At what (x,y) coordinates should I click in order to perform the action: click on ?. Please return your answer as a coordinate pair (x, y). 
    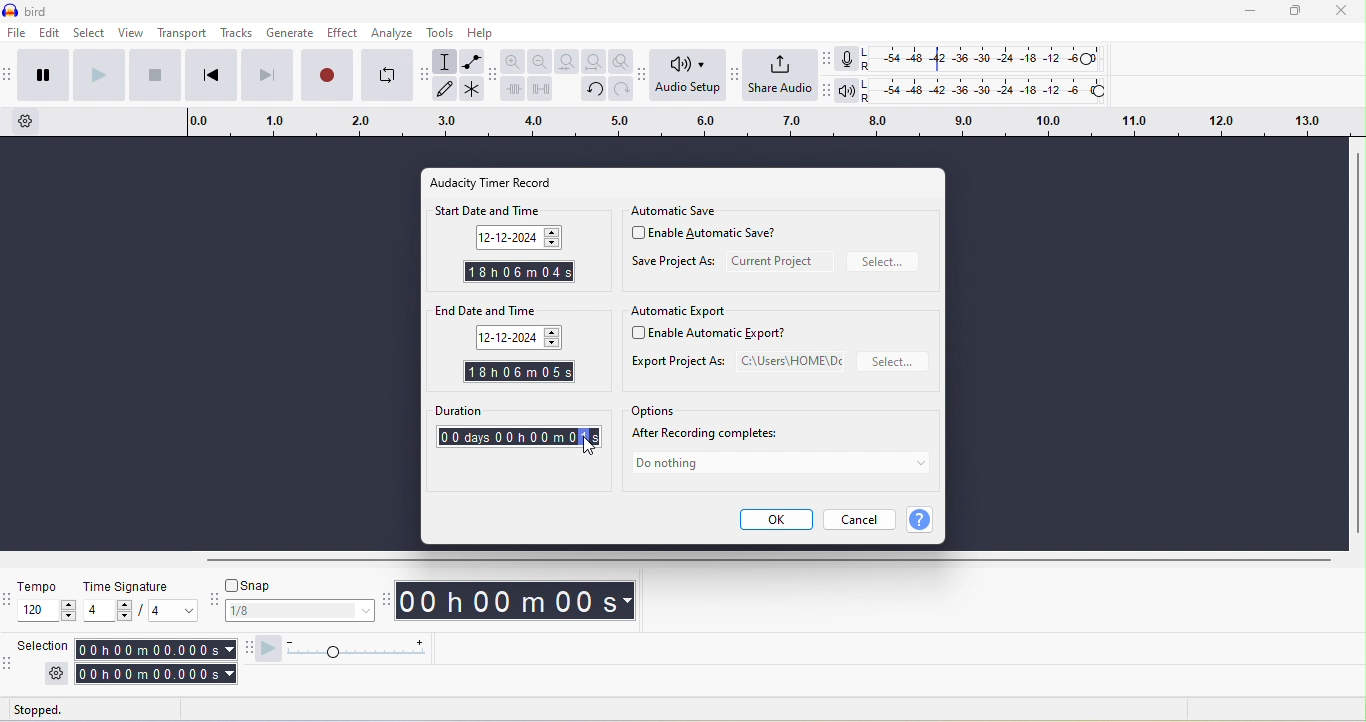
    Looking at the image, I should click on (924, 520).